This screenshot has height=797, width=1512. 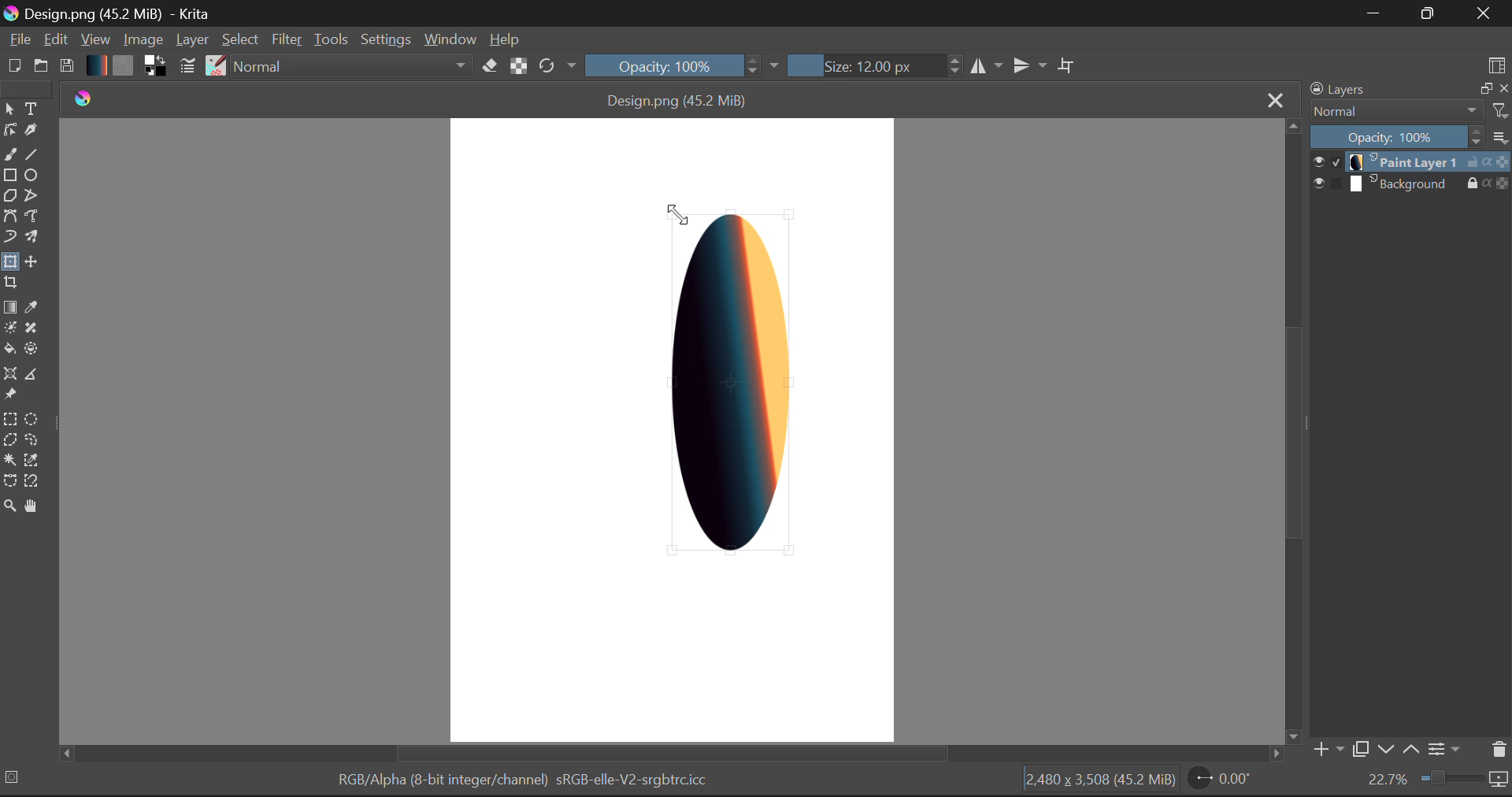 I want to click on Close, so click(x=1273, y=99).